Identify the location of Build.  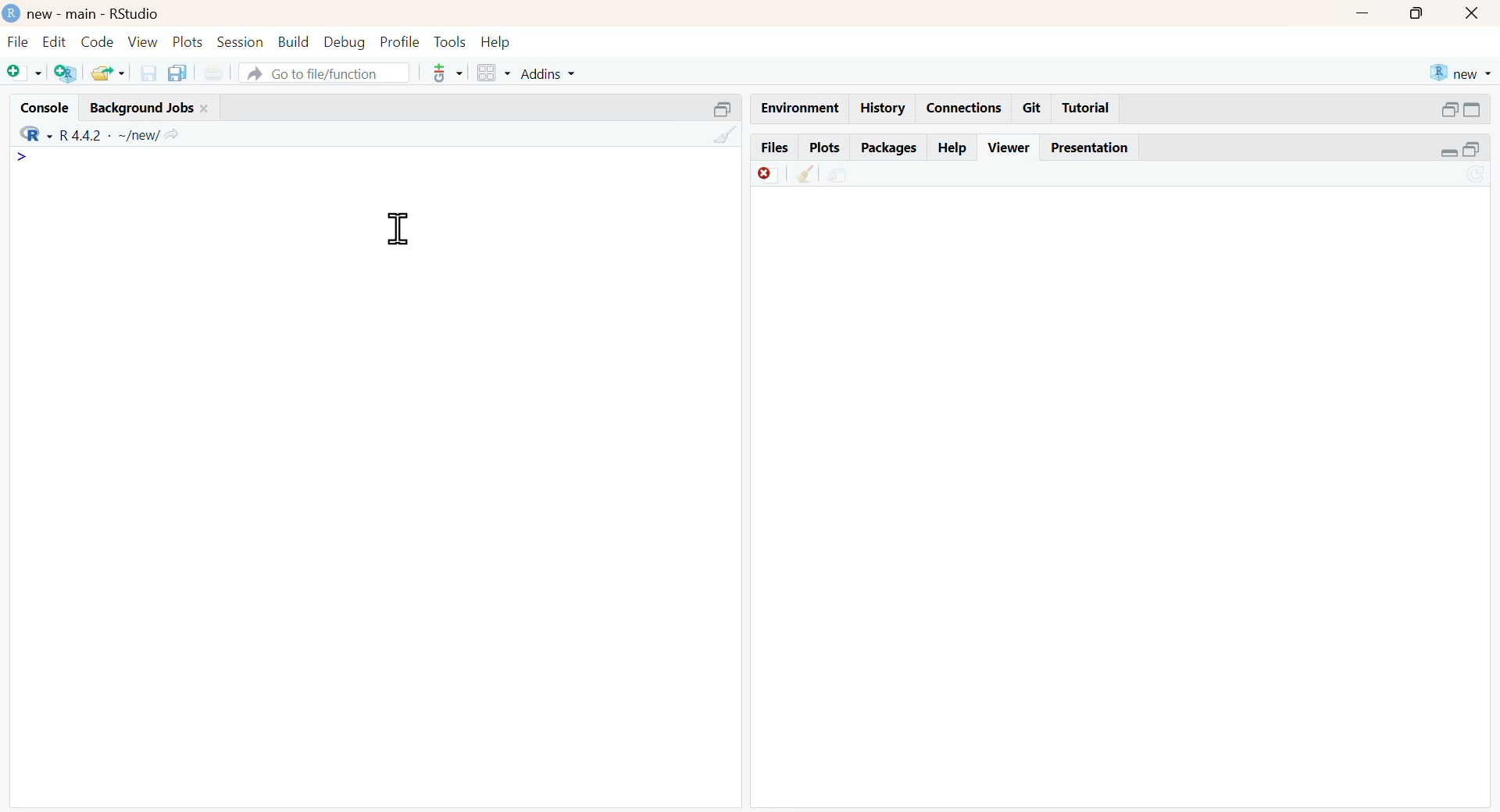
(294, 40).